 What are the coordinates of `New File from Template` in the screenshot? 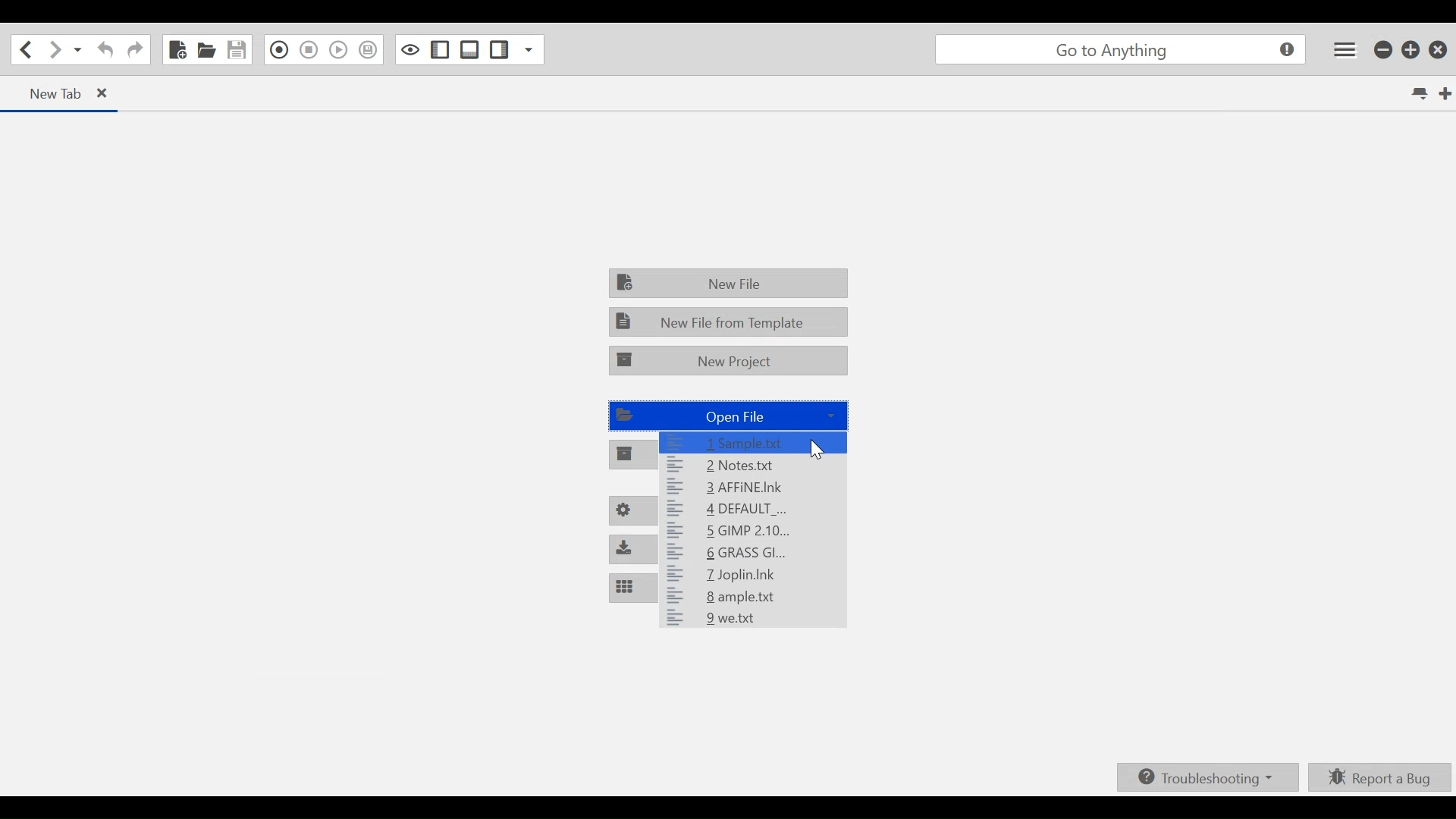 It's located at (730, 322).